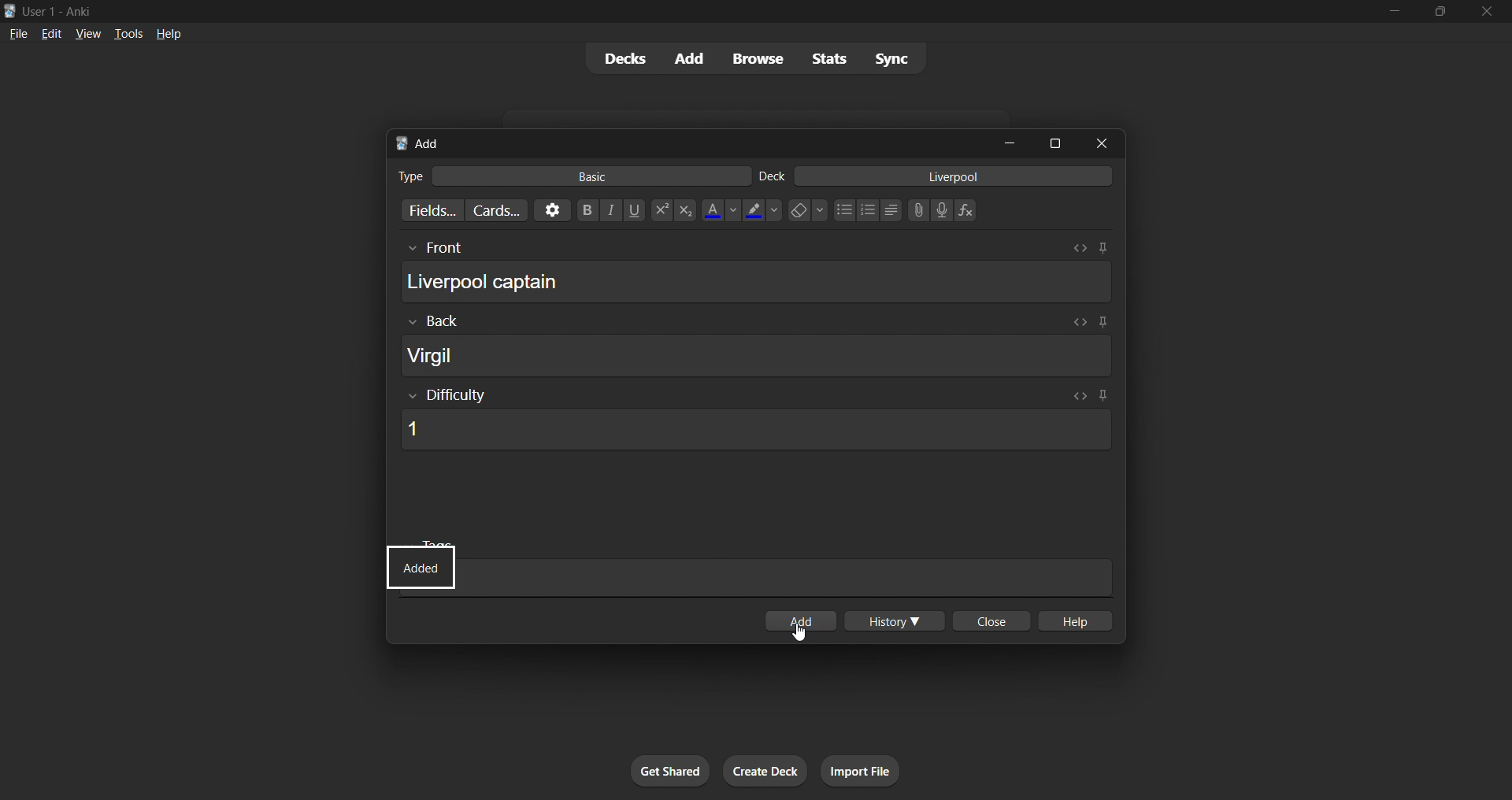 The image size is (1512, 800). What do you see at coordinates (429, 210) in the screenshot?
I see `customize fields` at bounding box center [429, 210].